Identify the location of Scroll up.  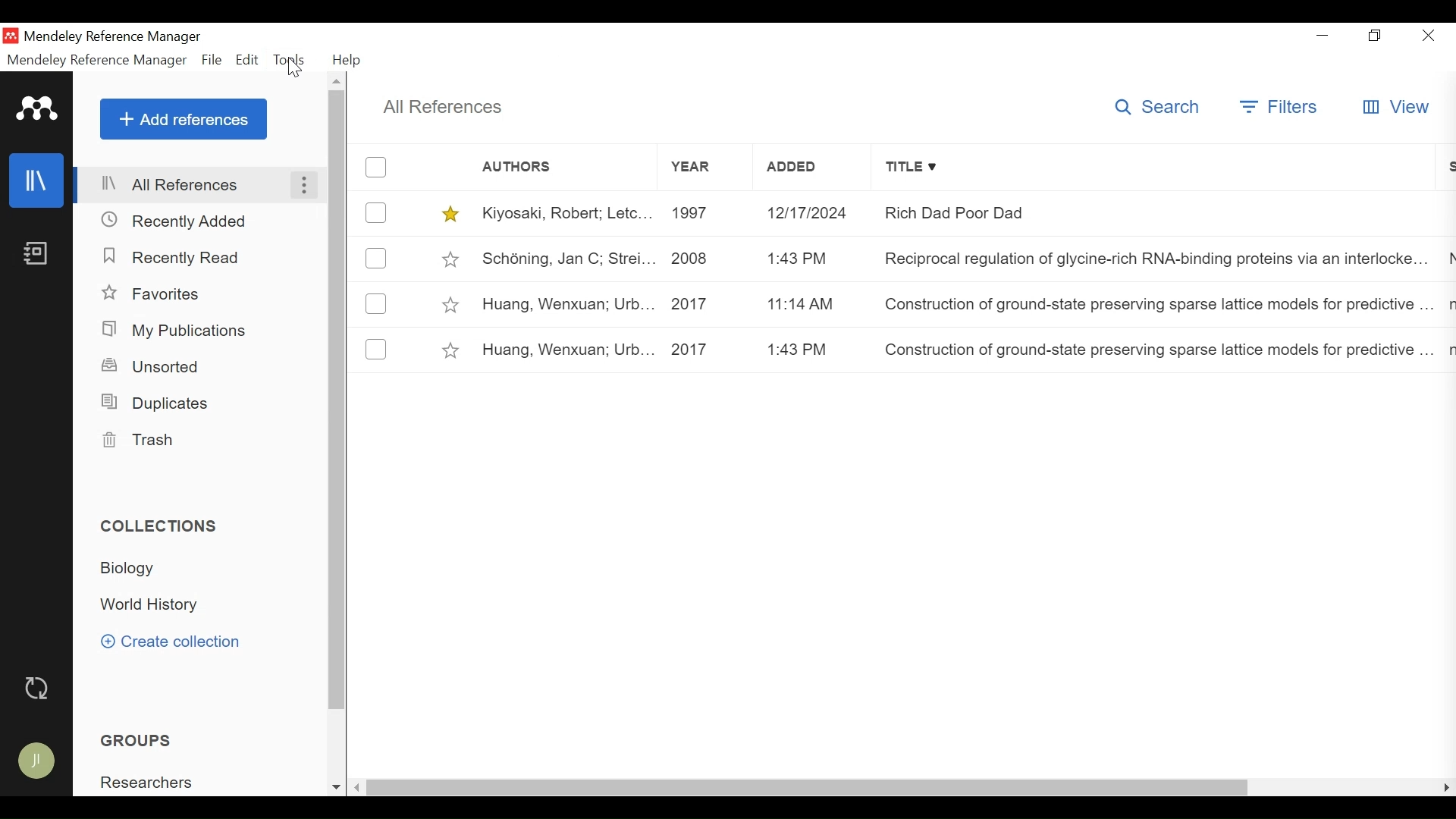
(337, 83).